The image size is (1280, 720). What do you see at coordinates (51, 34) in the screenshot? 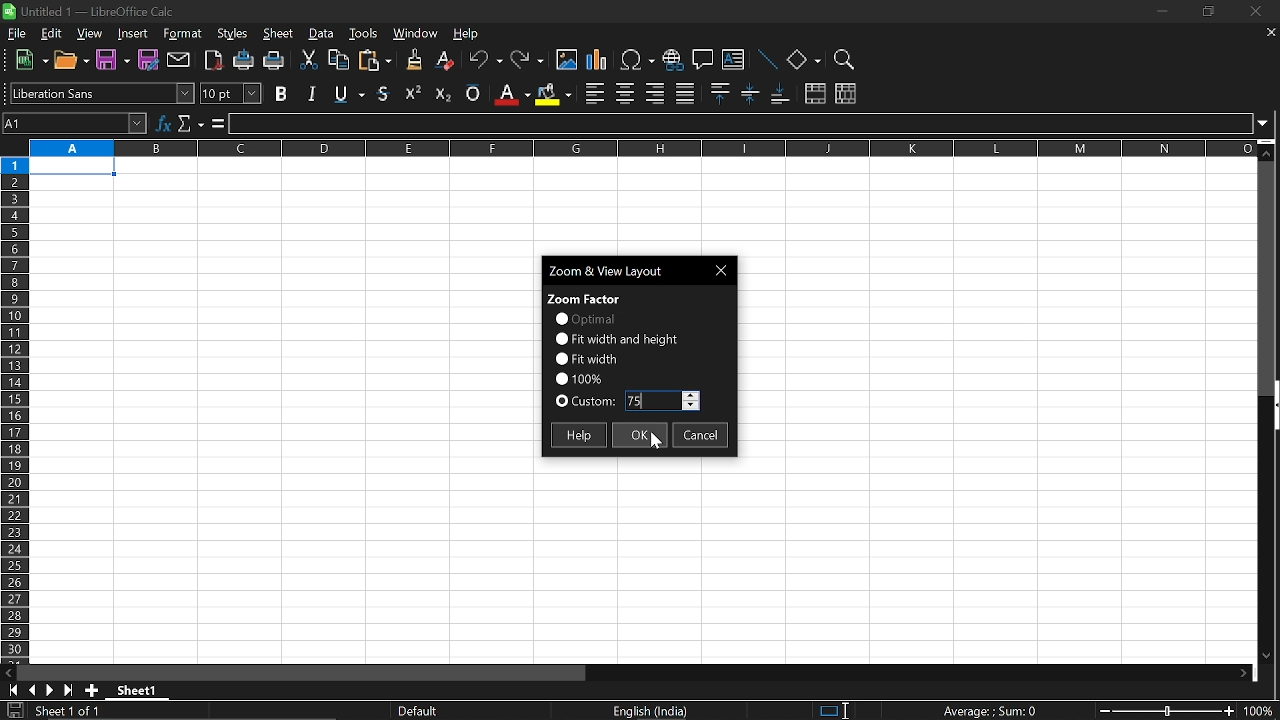
I see `edit` at bounding box center [51, 34].